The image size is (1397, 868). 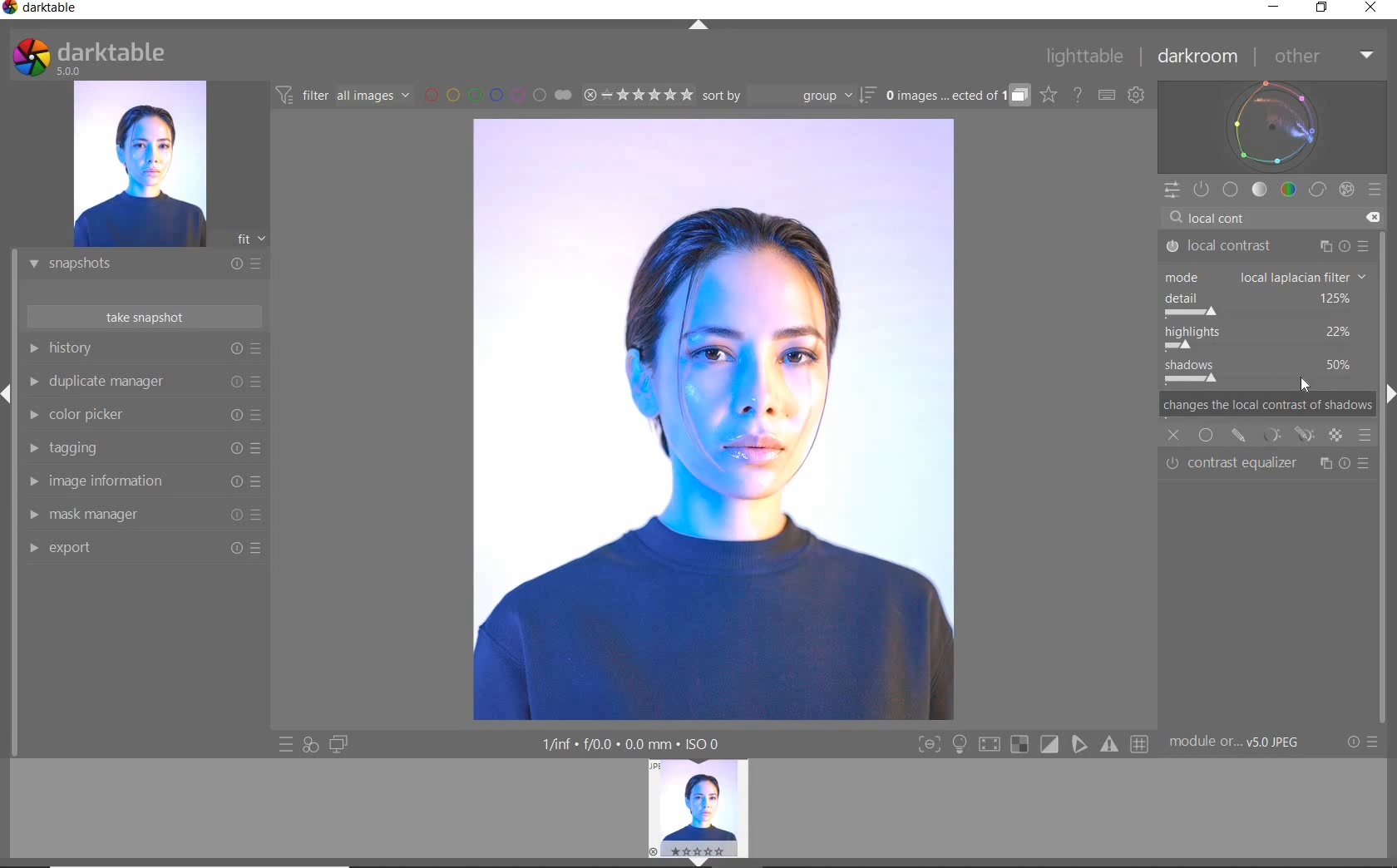 I want to click on DUPLICATE MANAGER, so click(x=143, y=382).